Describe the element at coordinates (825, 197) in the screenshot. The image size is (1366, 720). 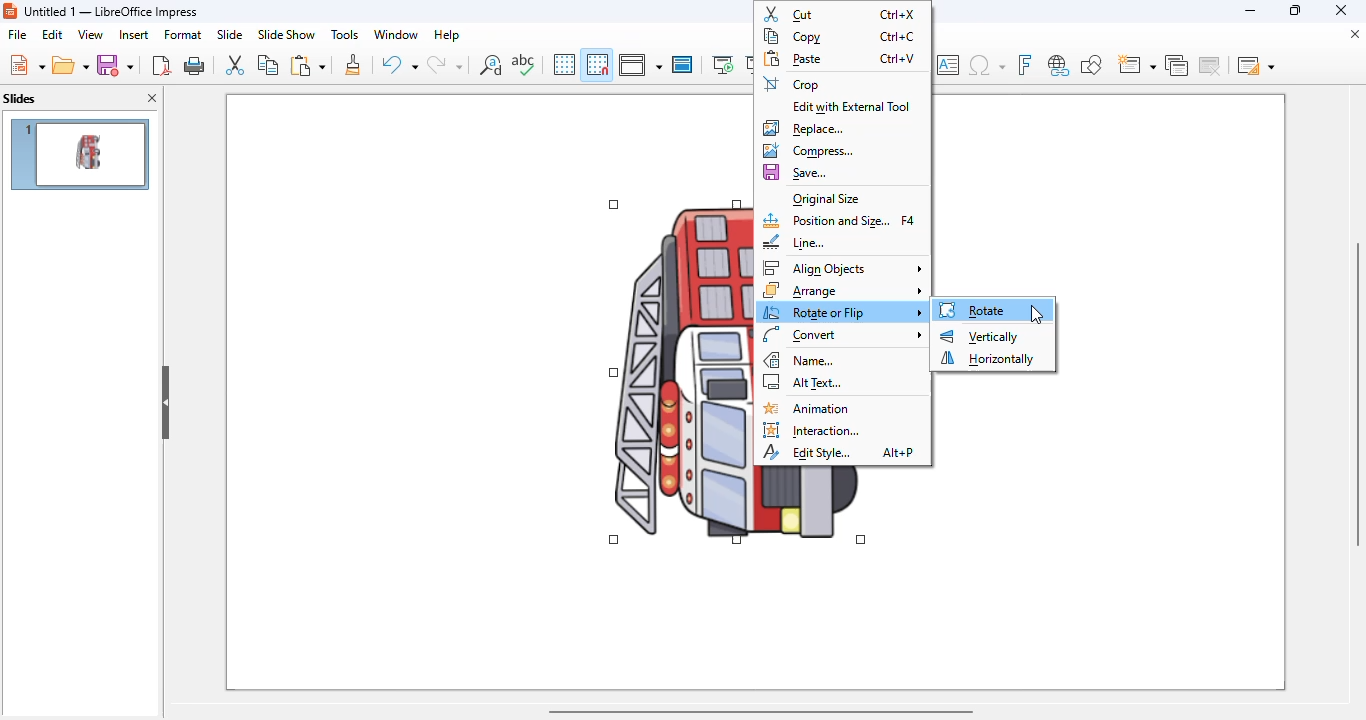
I see `original size` at that location.